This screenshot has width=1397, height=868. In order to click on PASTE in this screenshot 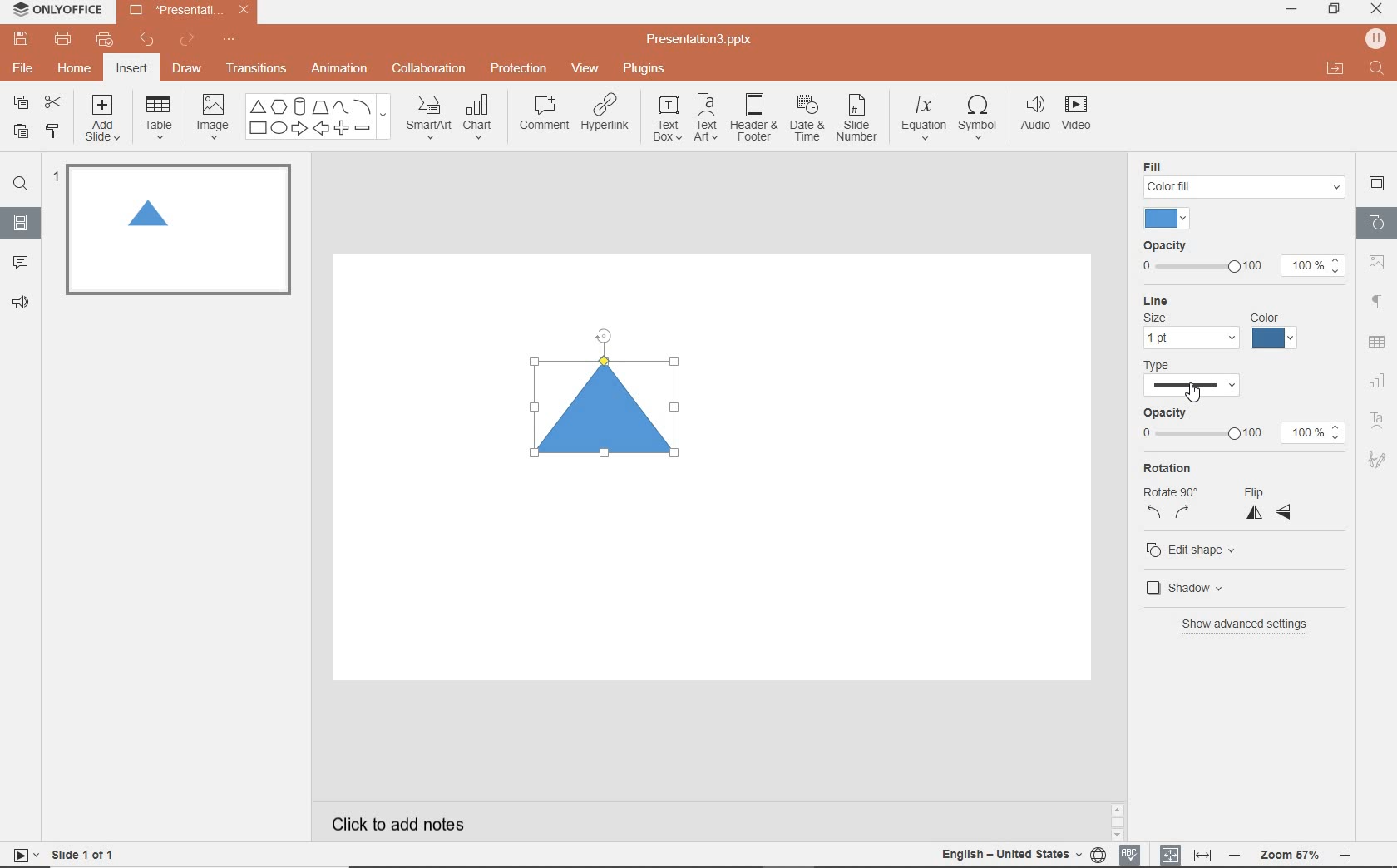, I will do `click(17, 132)`.